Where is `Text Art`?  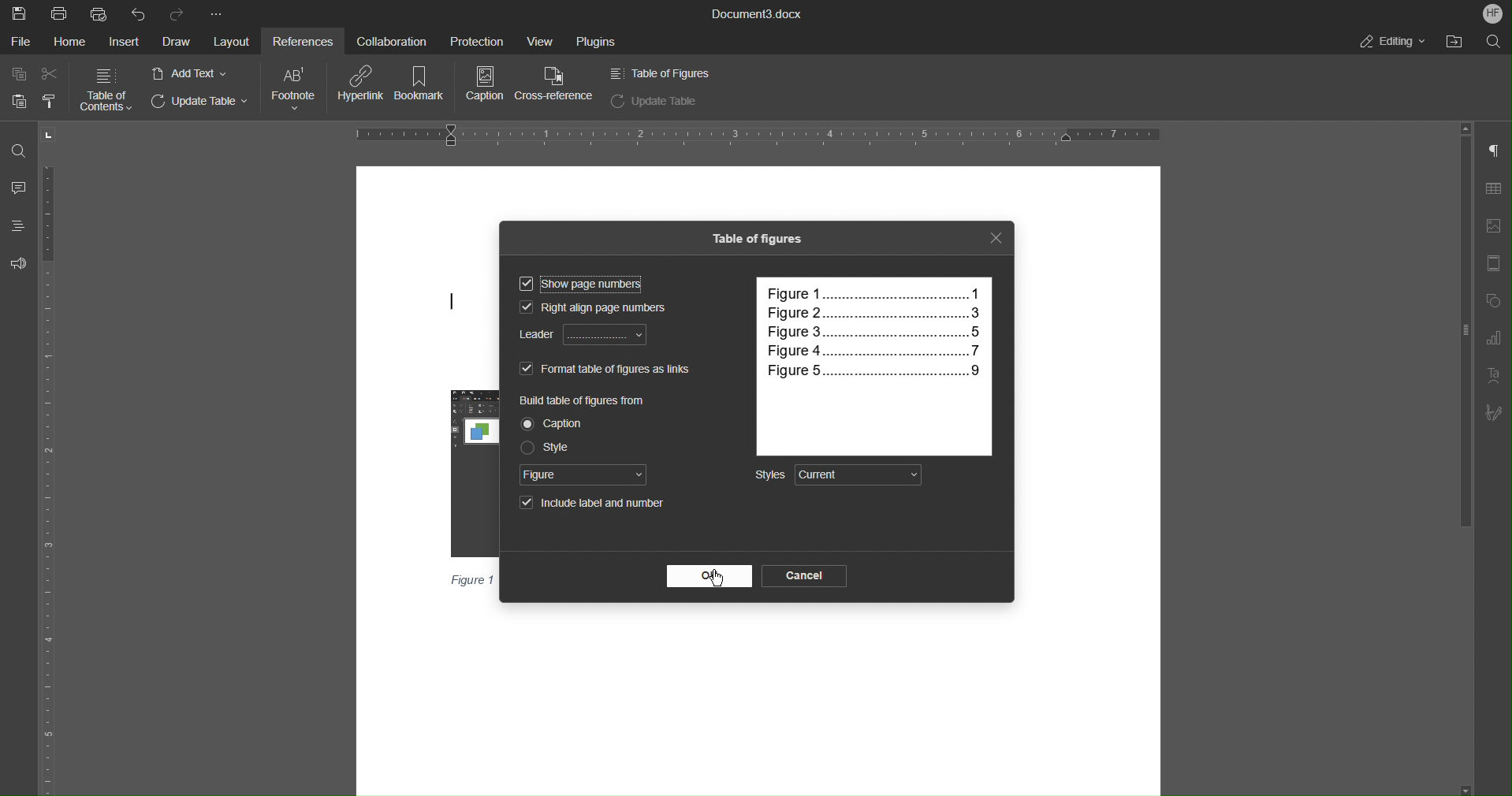 Text Art is located at coordinates (1492, 377).